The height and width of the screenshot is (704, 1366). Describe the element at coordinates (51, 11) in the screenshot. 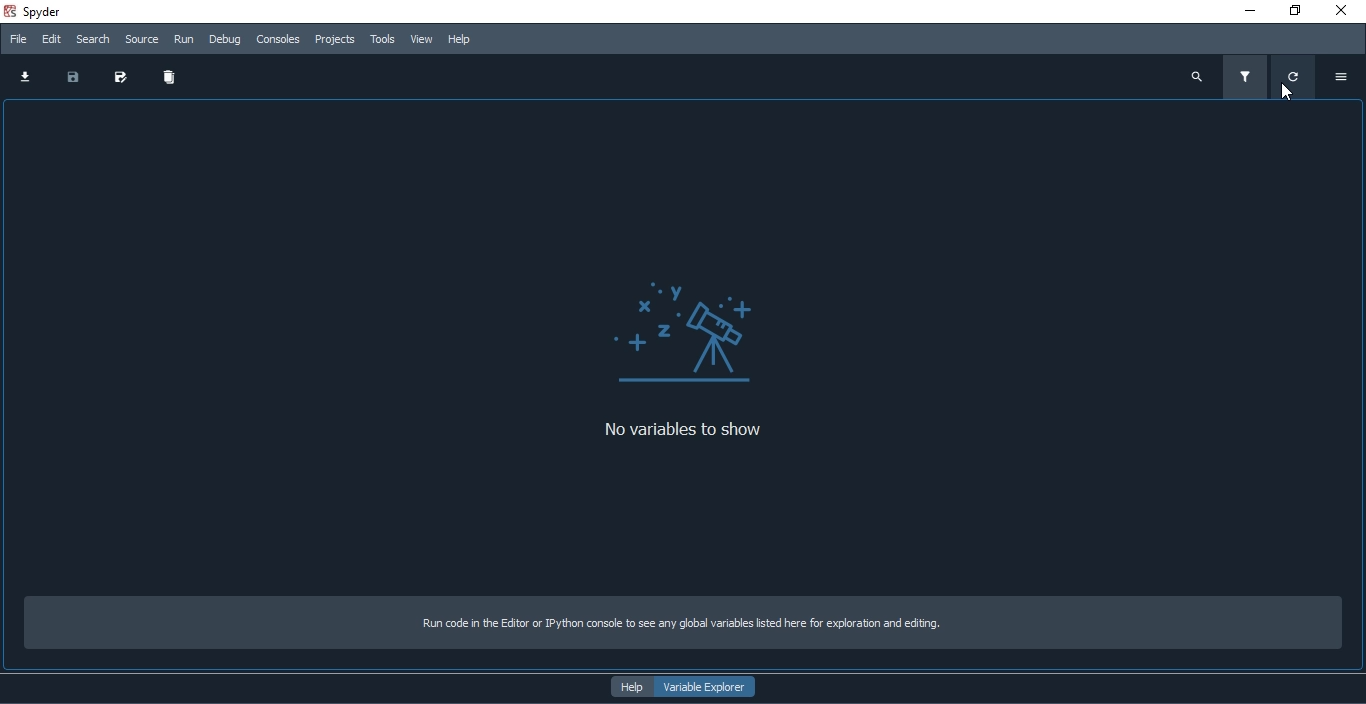

I see `spyder` at that location.